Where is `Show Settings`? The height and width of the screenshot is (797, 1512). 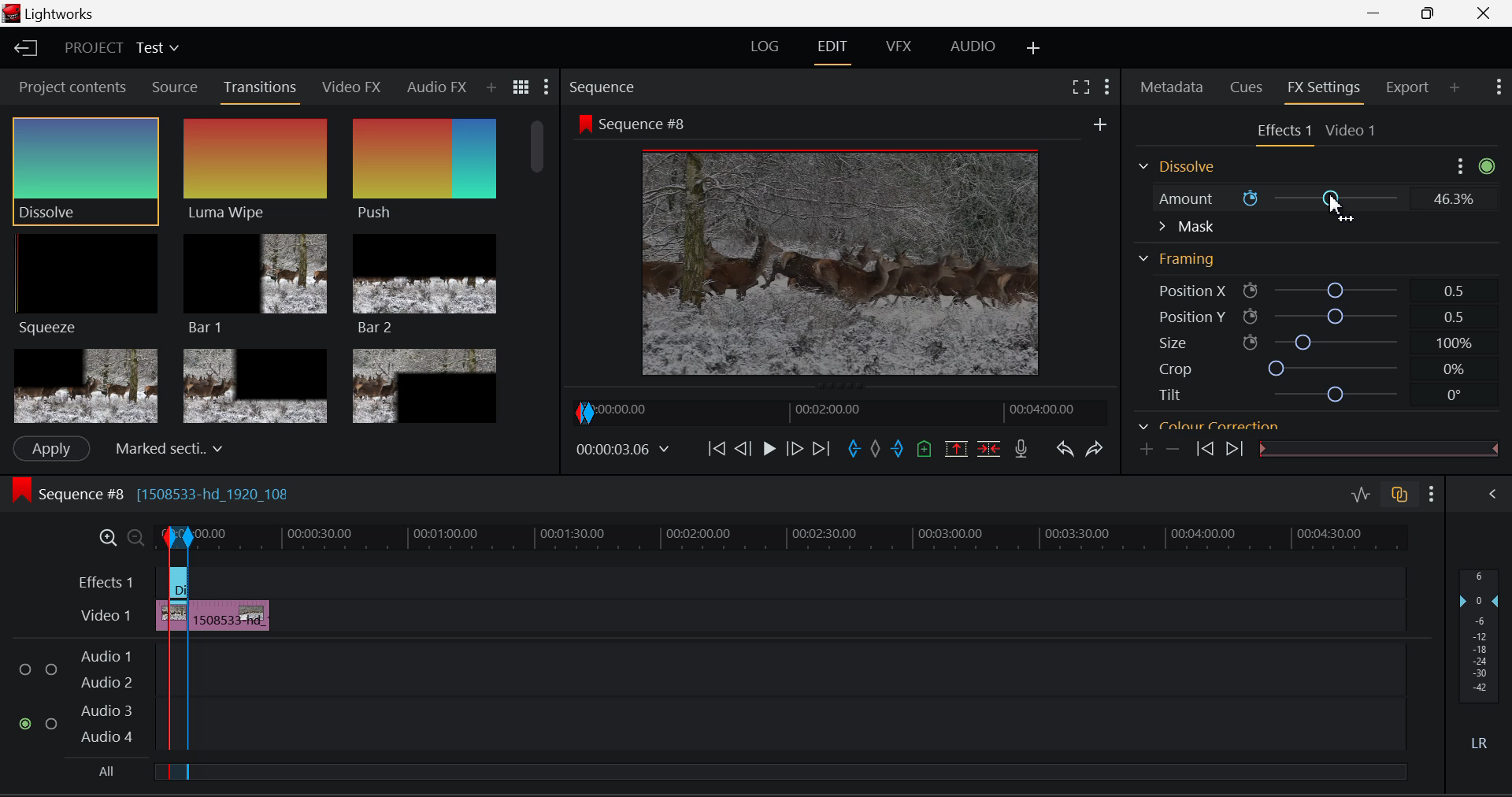 Show Settings is located at coordinates (1499, 87).